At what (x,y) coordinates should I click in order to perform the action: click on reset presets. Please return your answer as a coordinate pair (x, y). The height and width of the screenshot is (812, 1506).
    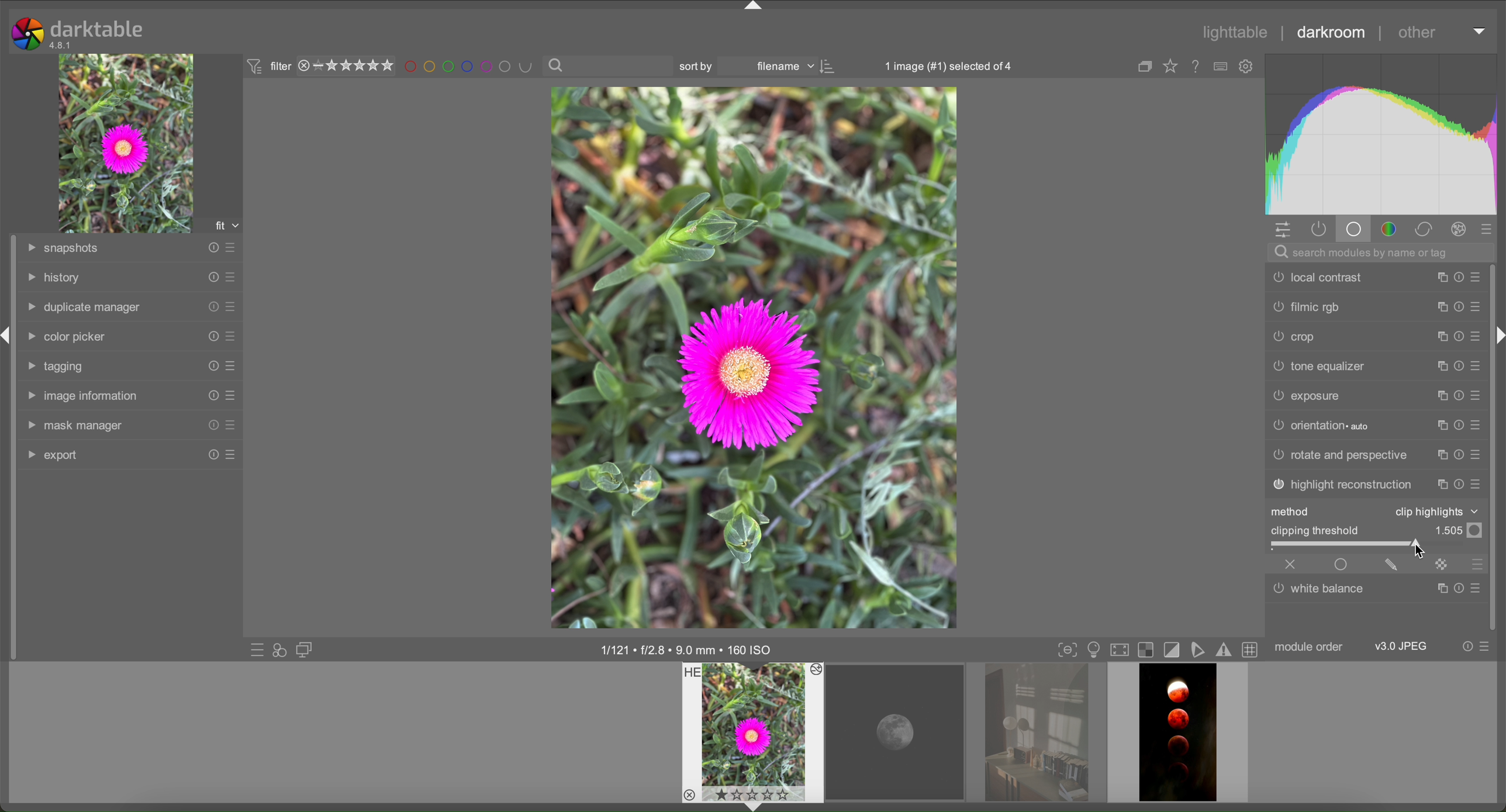
    Looking at the image, I should click on (210, 248).